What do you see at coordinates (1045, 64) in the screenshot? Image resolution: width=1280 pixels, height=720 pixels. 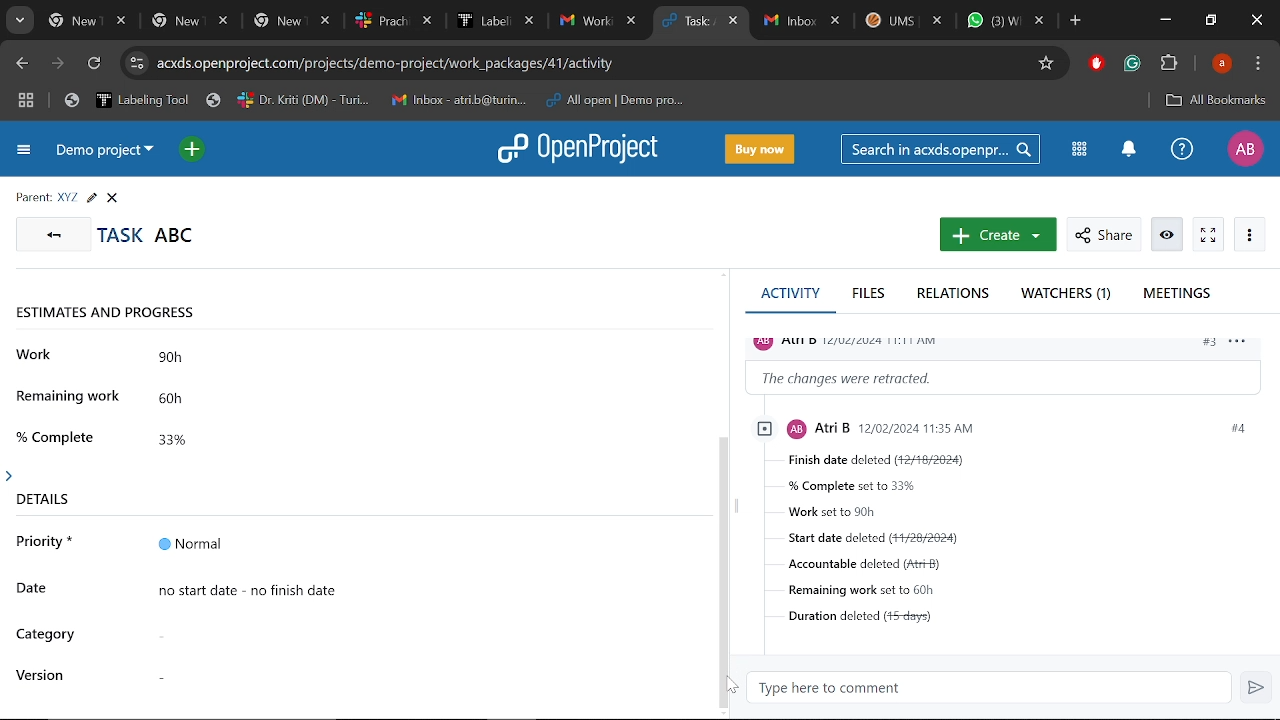 I see `Add/remove bookmark` at bounding box center [1045, 64].